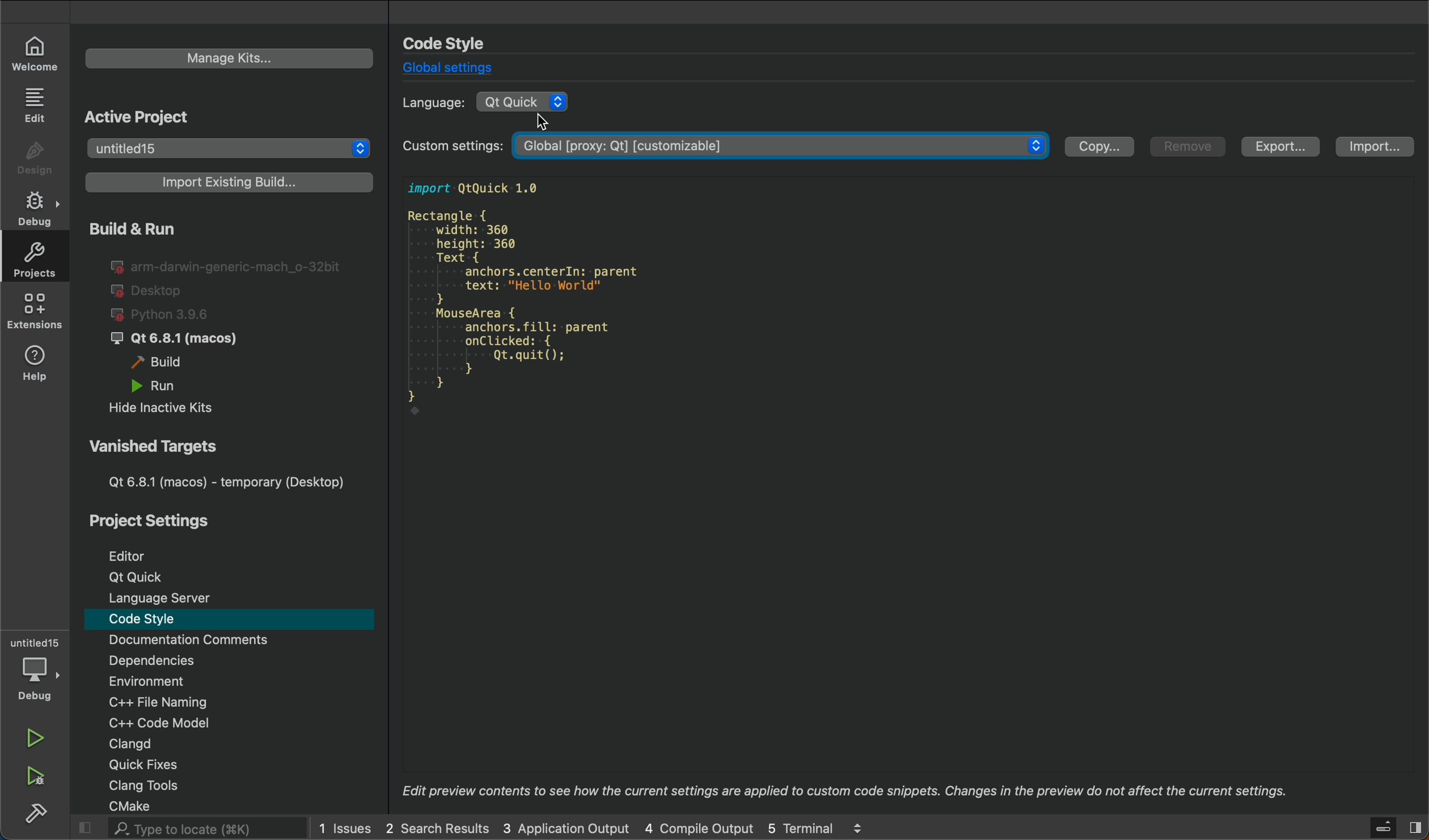 This screenshot has height=840, width=1429. What do you see at coordinates (1397, 828) in the screenshot?
I see `close bar` at bounding box center [1397, 828].